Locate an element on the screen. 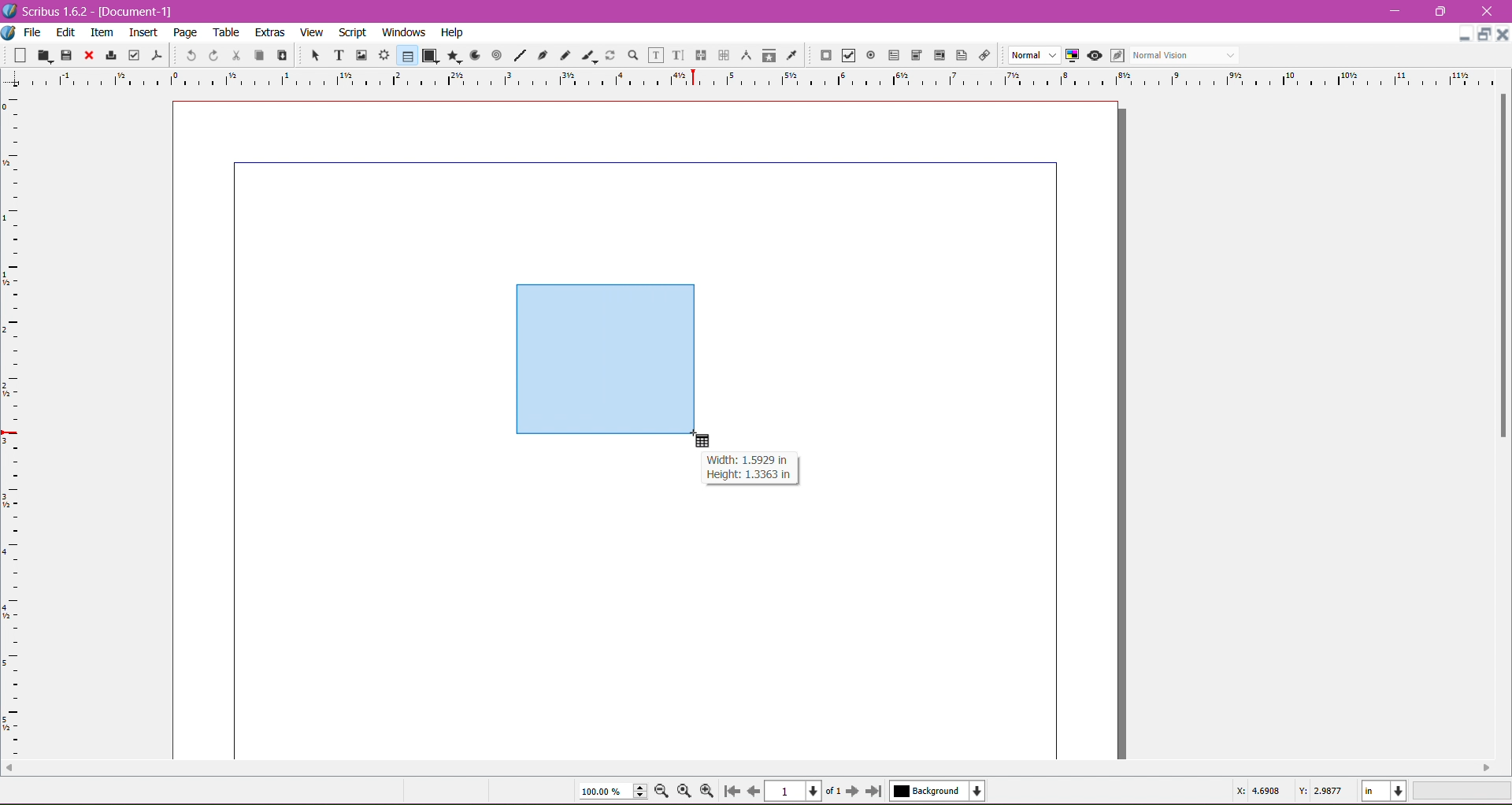 The height and width of the screenshot is (805, 1512). scroll bar is located at coordinates (748, 768).